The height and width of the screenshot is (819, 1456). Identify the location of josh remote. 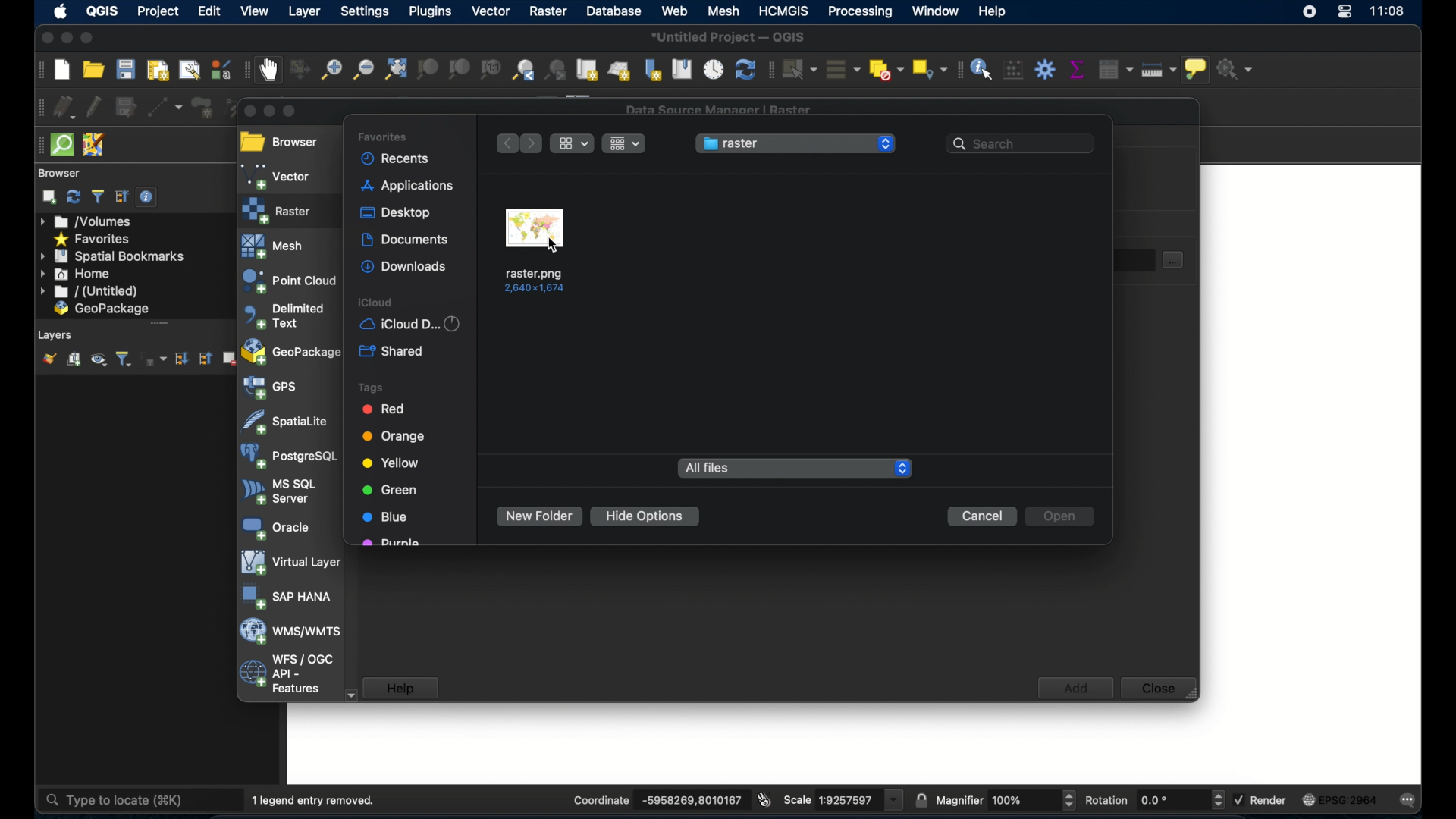
(93, 144).